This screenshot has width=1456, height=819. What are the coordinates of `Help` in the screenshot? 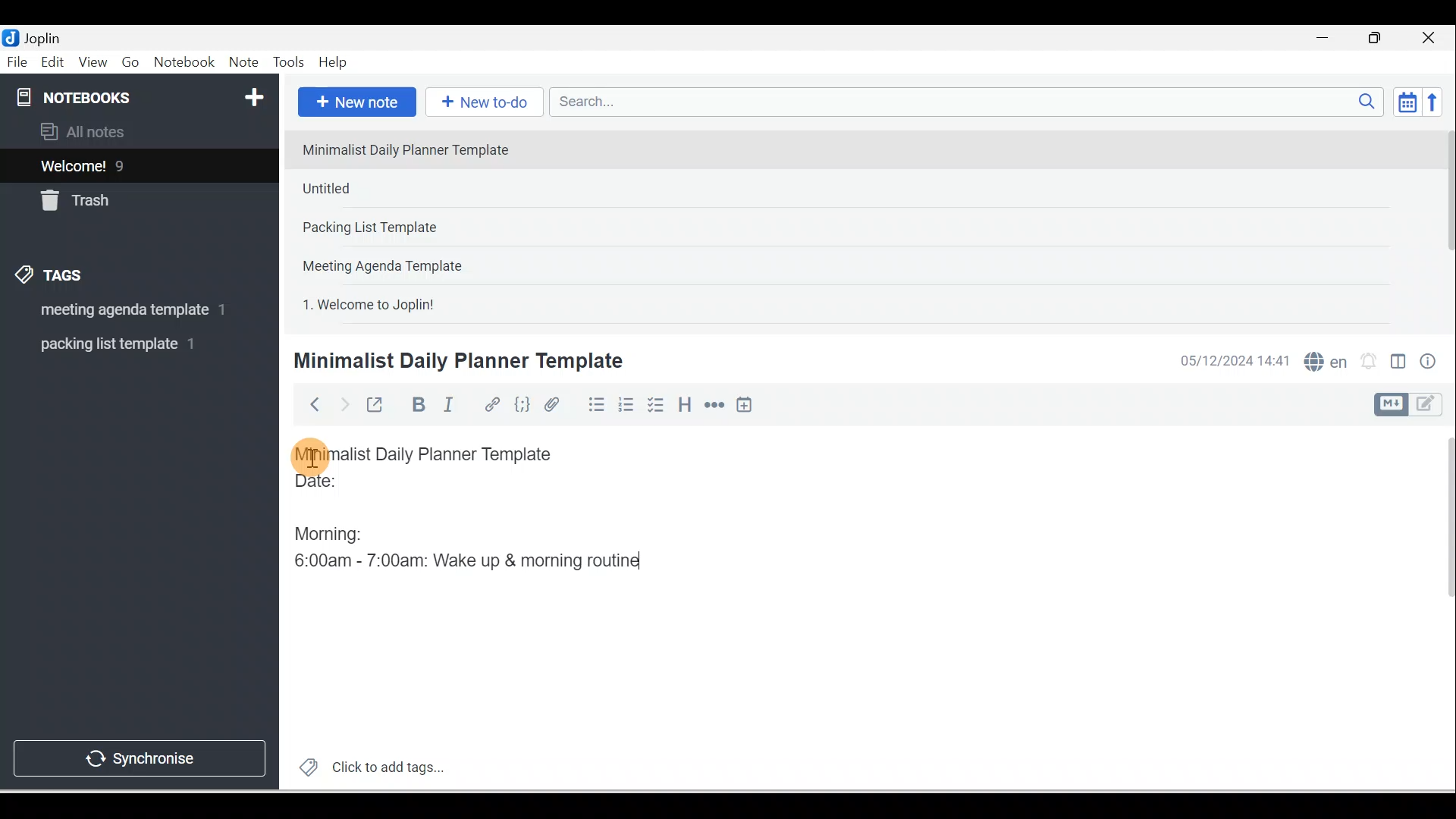 It's located at (334, 63).